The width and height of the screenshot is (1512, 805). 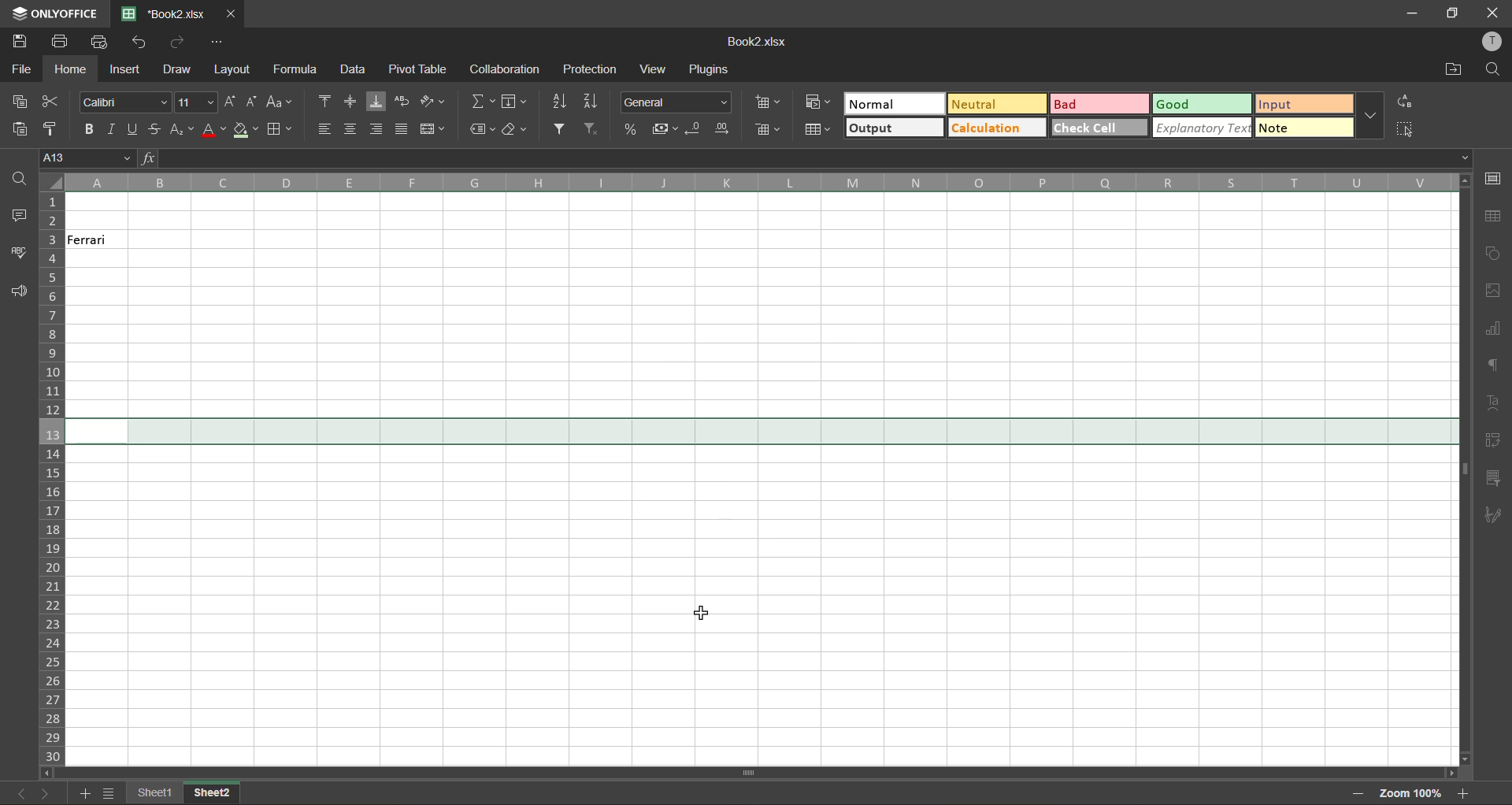 What do you see at coordinates (1403, 100) in the screenshot?
I see `replace` at bounding box center [1403, 100].